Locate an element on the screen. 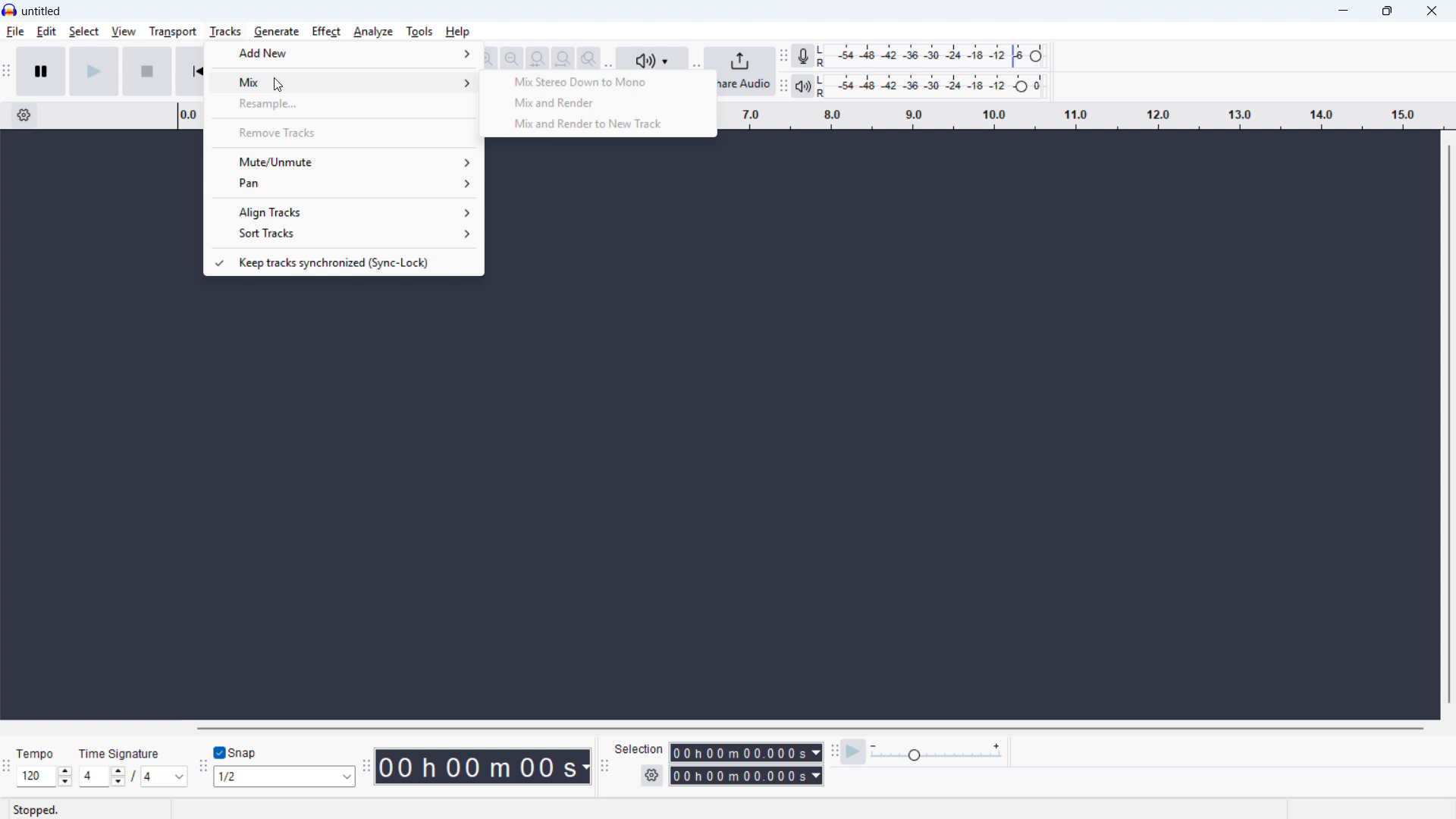  audio setup is located at coordinates (657, 58).